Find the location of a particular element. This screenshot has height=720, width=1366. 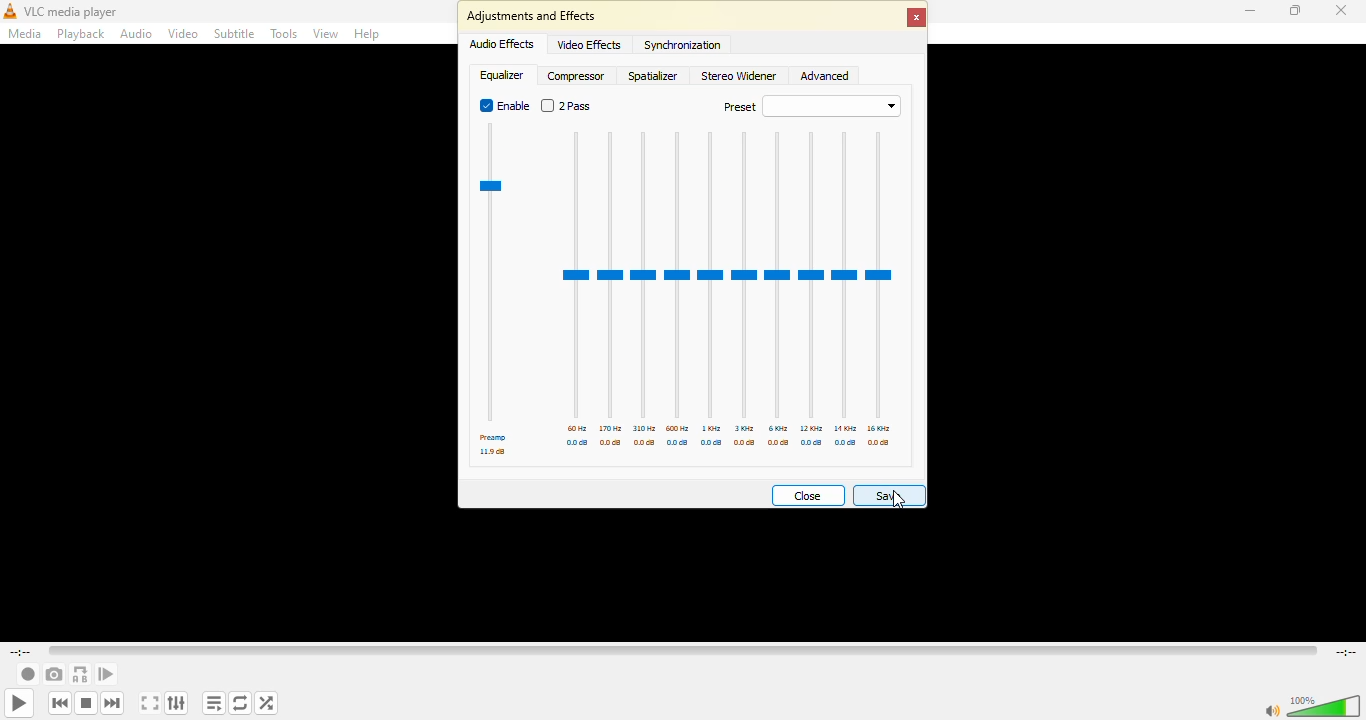

db is located at coordinates (781, 443).